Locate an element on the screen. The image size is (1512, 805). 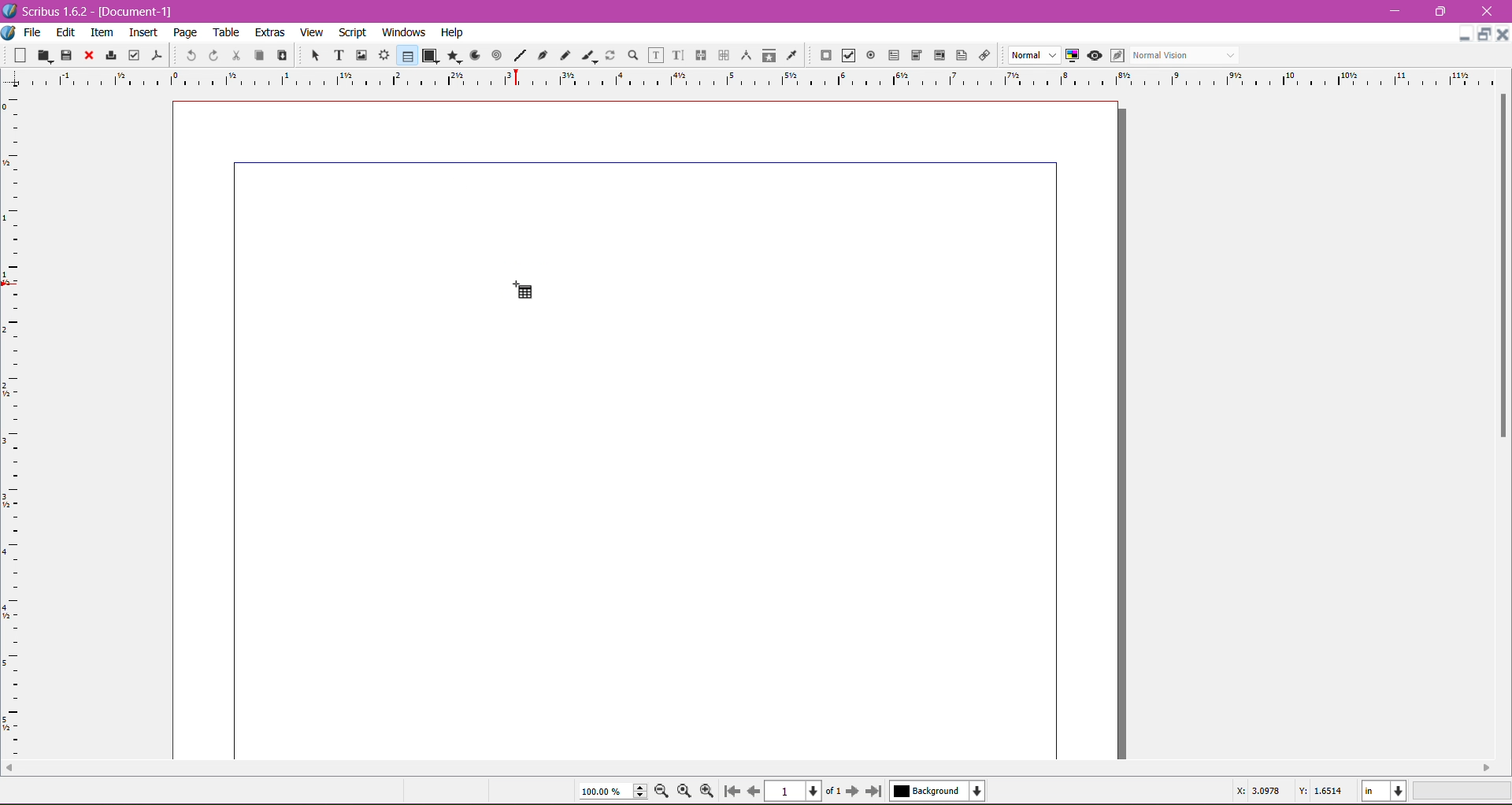
PDF Text Fields is located at coordinates (891, 56).